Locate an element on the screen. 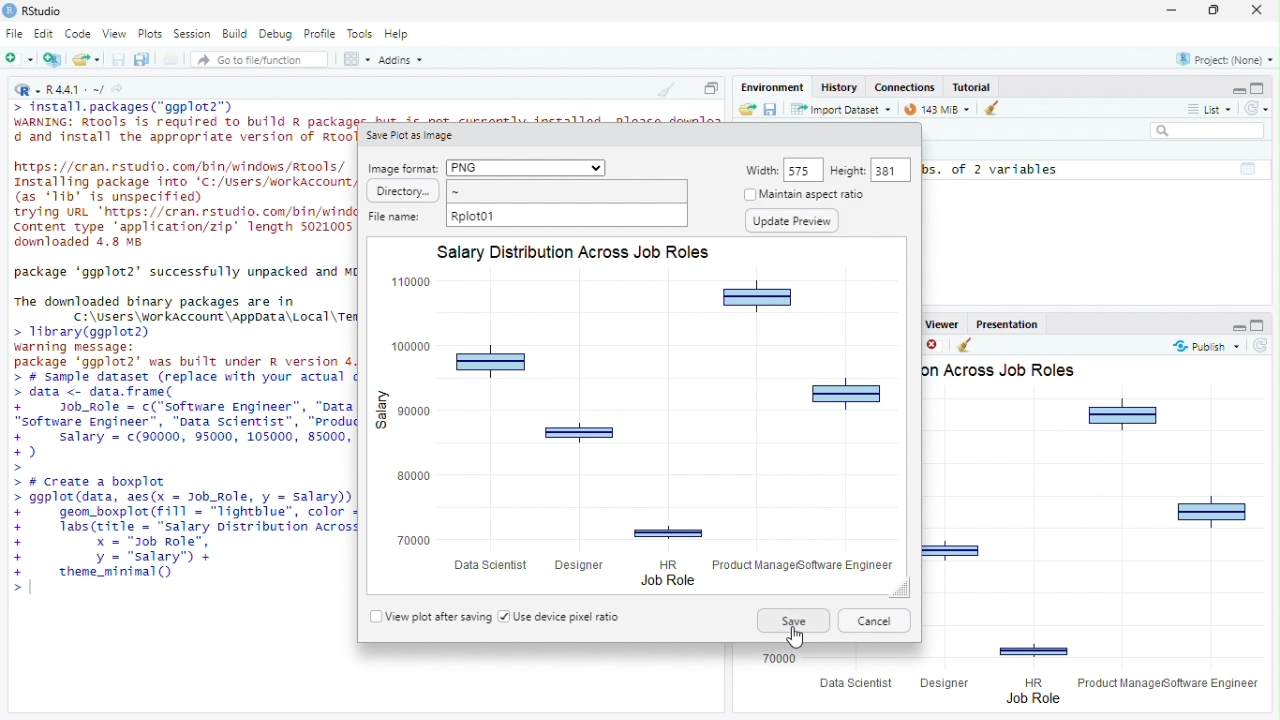 The height and width of the screenshot is (720, 1280). Tutorial is located at coordinates (971, 87).